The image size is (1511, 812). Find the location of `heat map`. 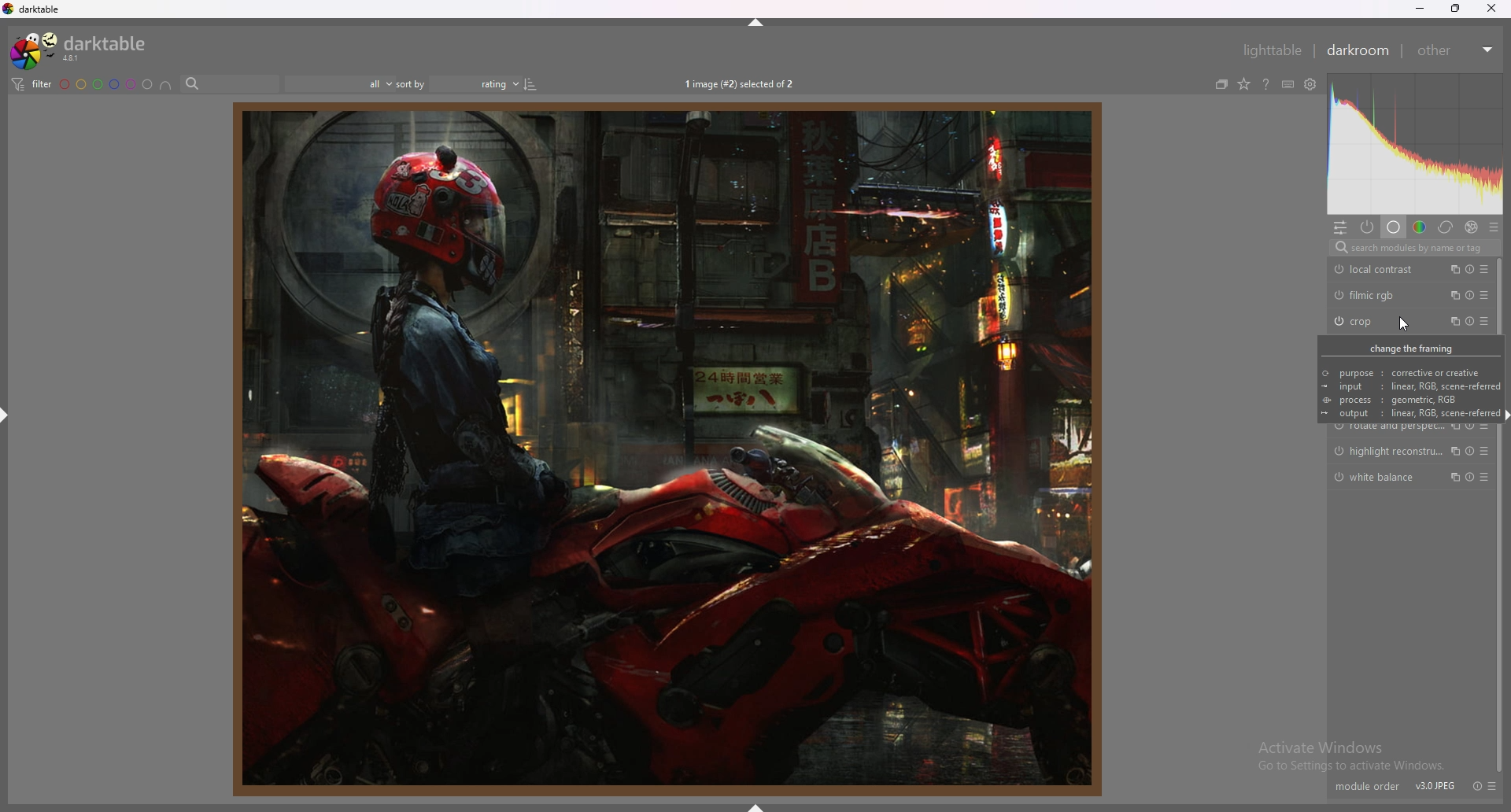

heat map is located at coordinates (1414, 143).